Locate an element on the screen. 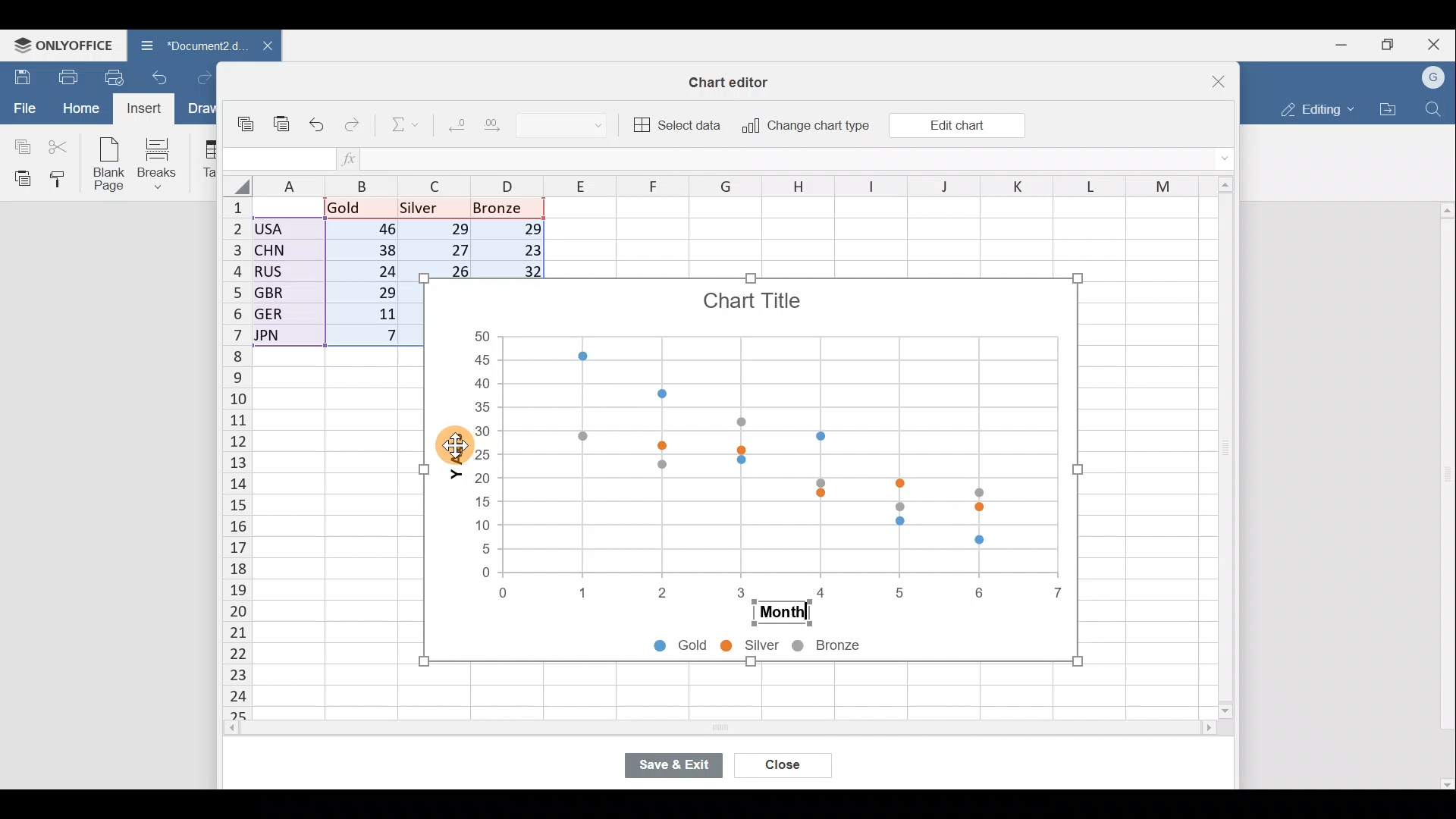 This screenshot has width=1456, height=819. Blank page is located at coordinates (111, 165).